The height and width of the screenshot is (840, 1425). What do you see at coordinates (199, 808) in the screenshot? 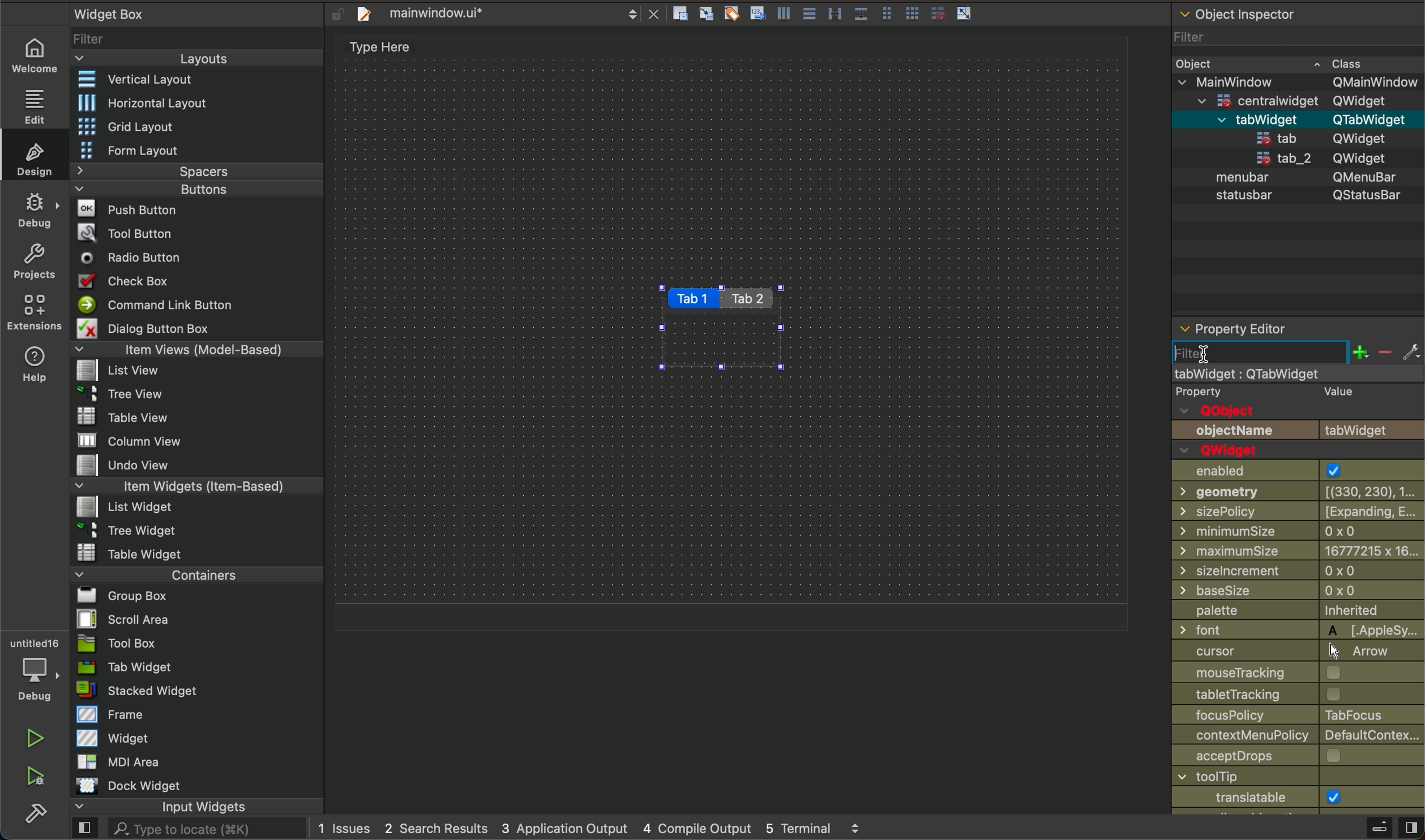
I see `input widgets` at bounding box center [199, 808].